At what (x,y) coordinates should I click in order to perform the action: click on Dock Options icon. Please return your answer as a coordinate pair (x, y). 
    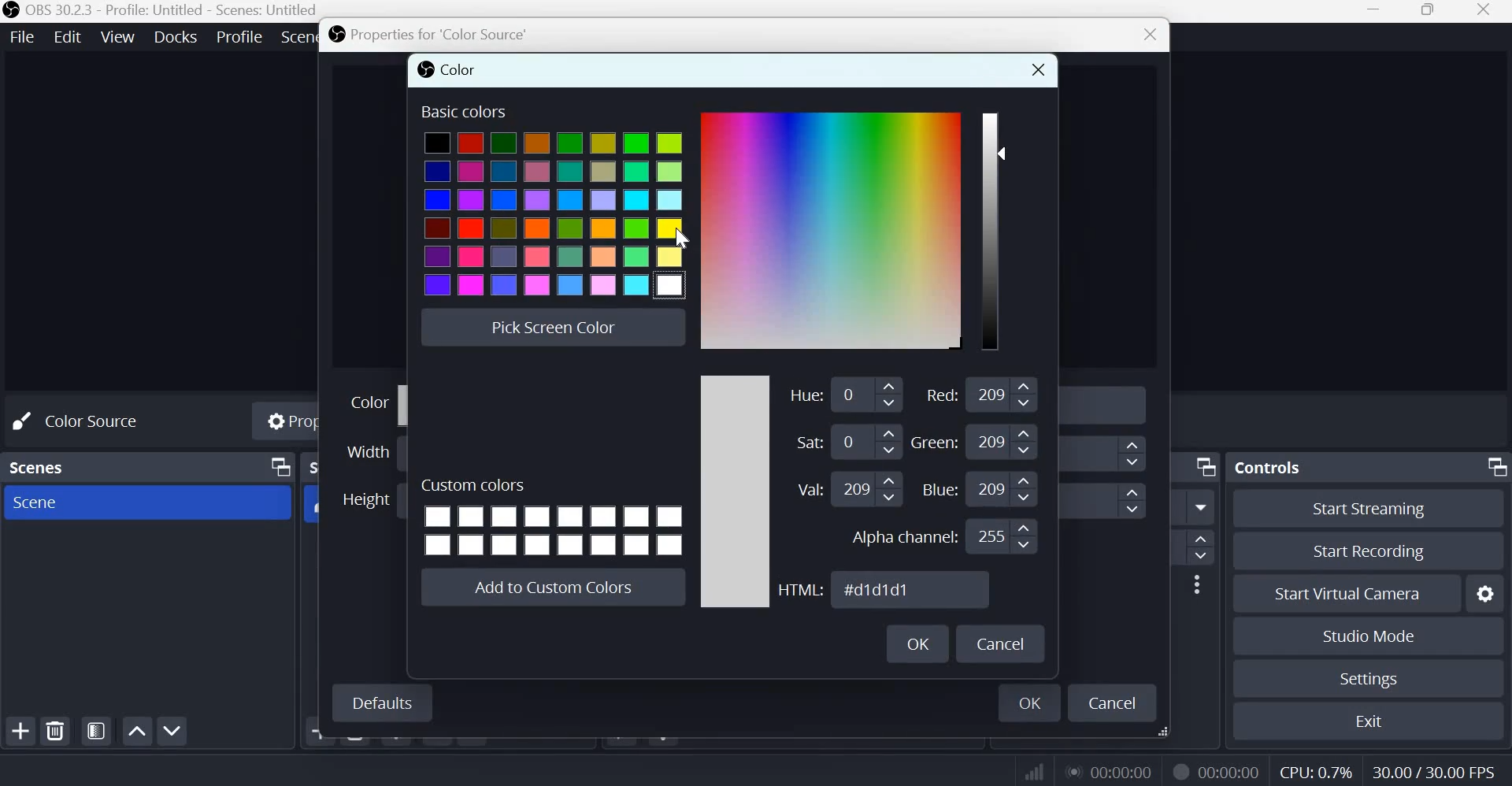
    Looking at the image, I should click on (1493, 465).